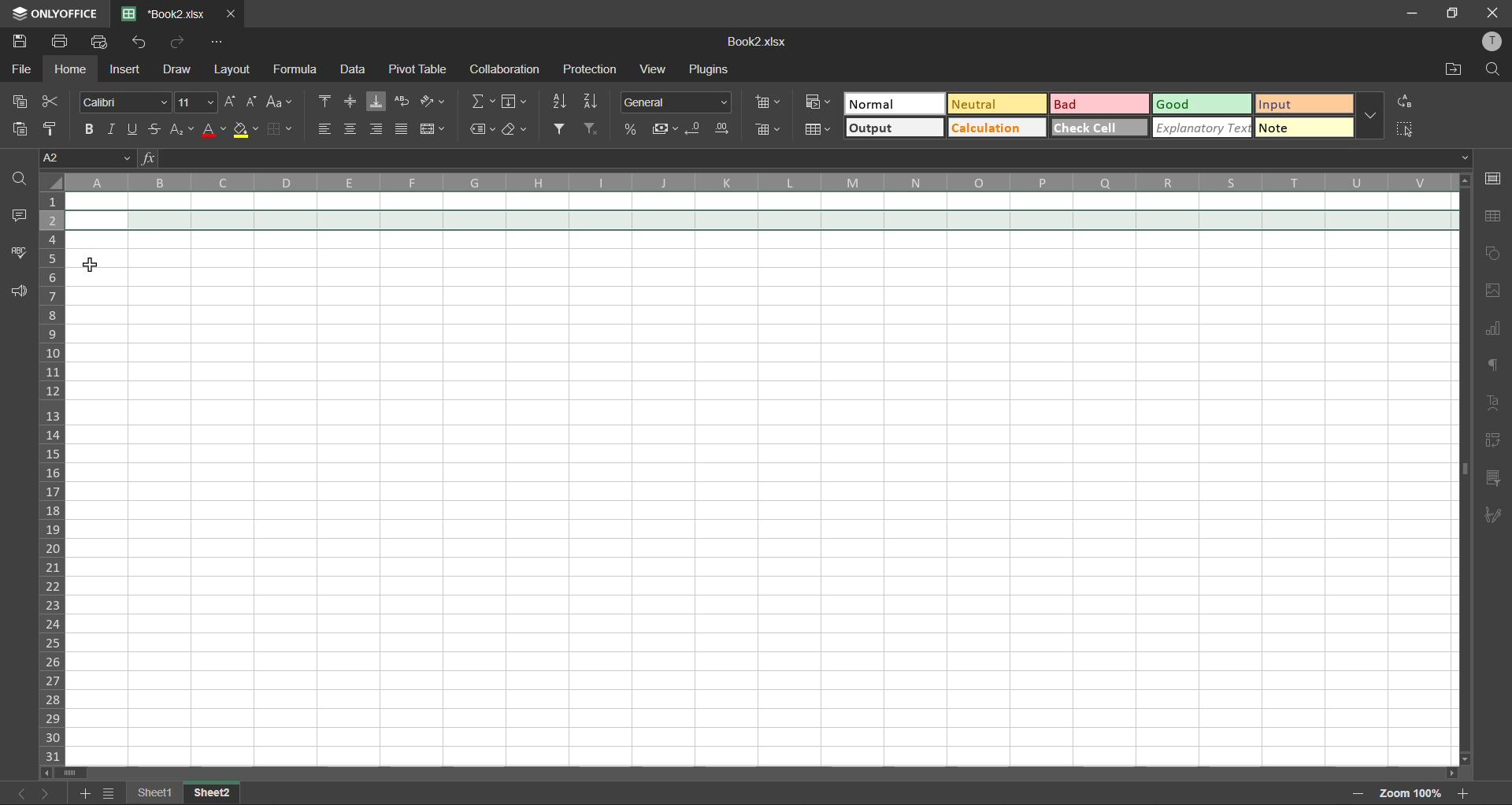 The width and height of the screenshot is (1512, 805). What do you see at coordinates (434, 129) in the screenshot?
I see `merge and center` at bounding box center [434, 129].